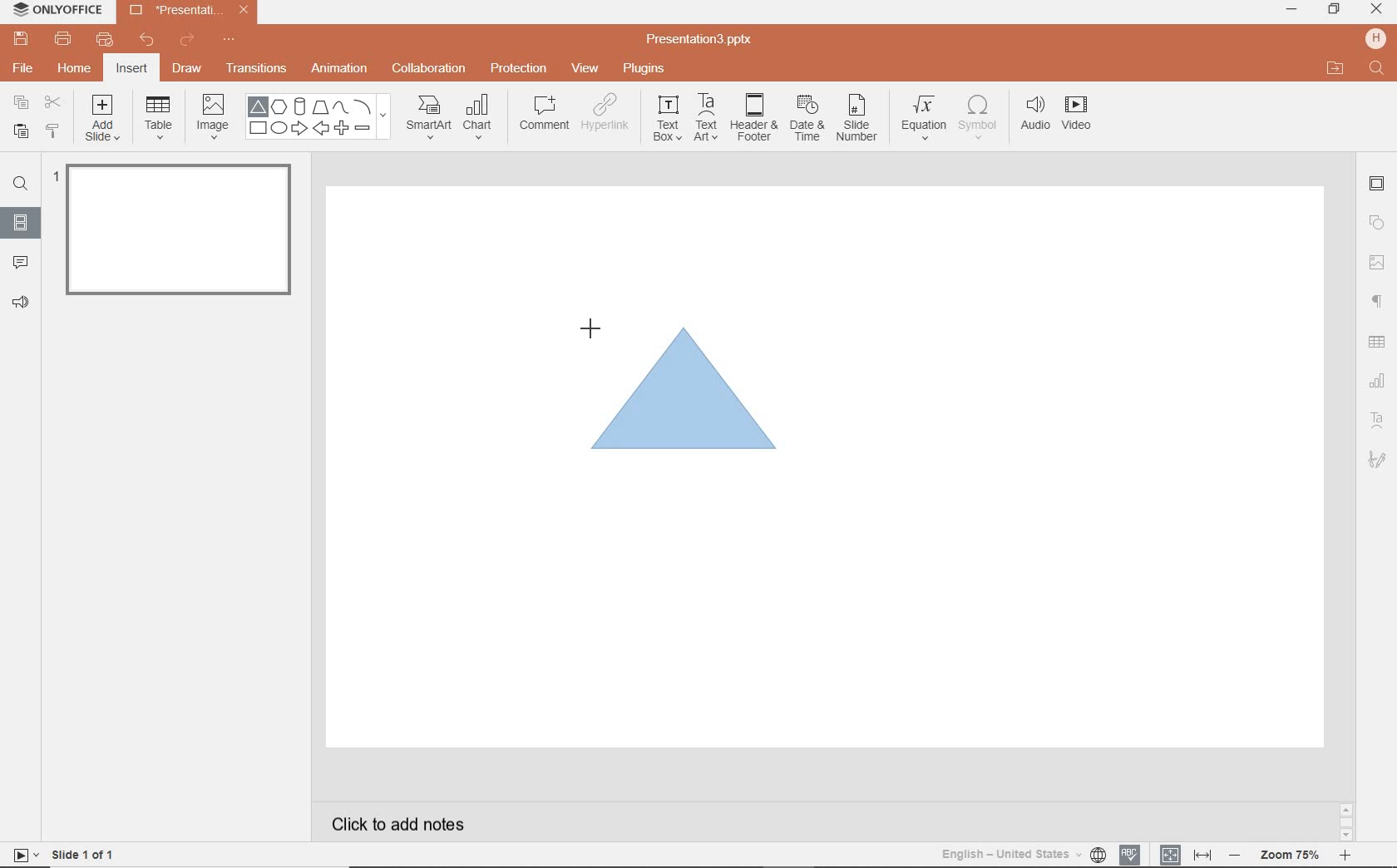 This screenshot has width=1397, height=868. What do you see at coordinates (1169, 856) in the screenshot?
I see `FIT TO SLIDE` at bounding box center [1169, 856].